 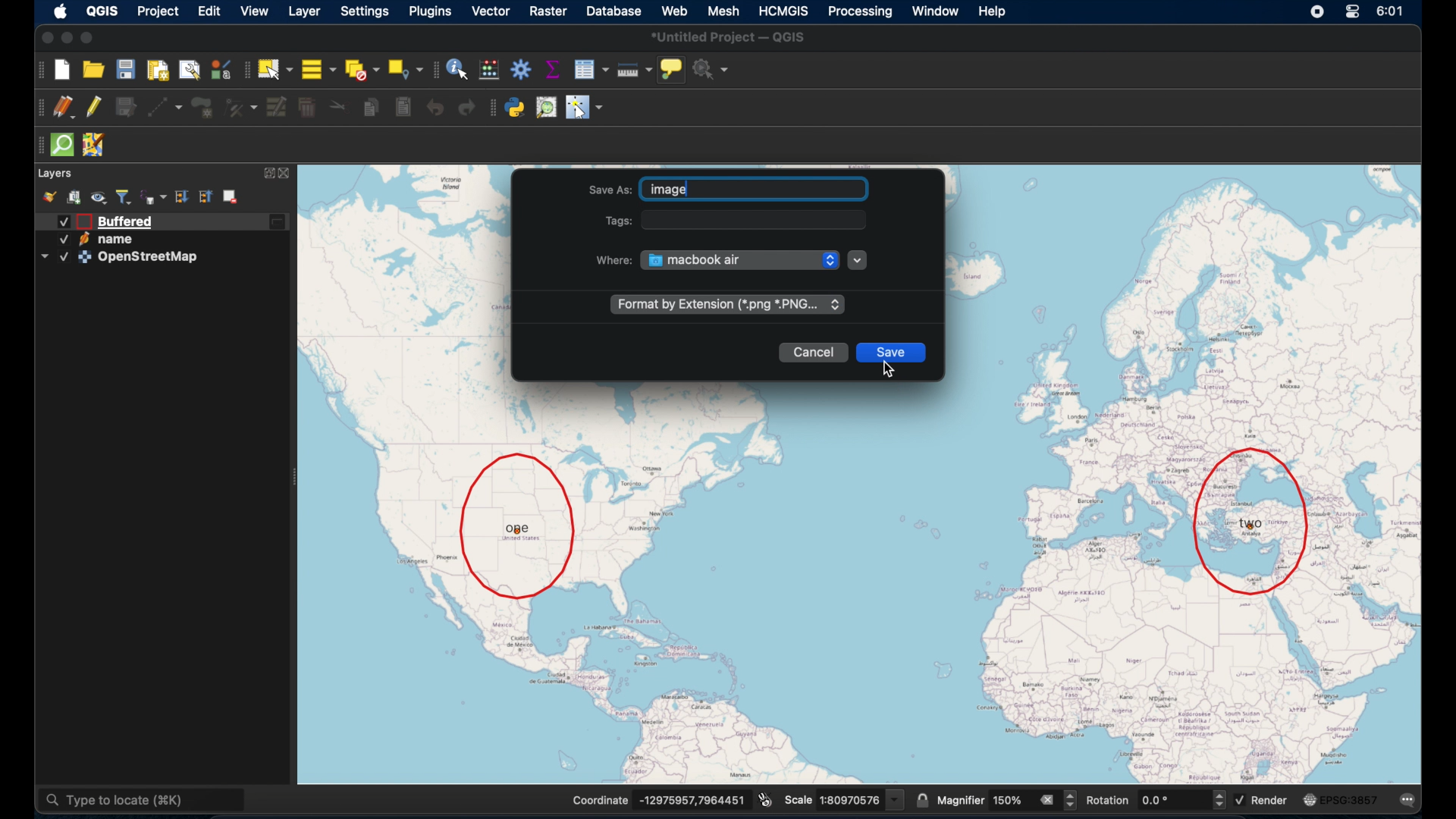 I want to click on style manager, so click(x=51, y=196).